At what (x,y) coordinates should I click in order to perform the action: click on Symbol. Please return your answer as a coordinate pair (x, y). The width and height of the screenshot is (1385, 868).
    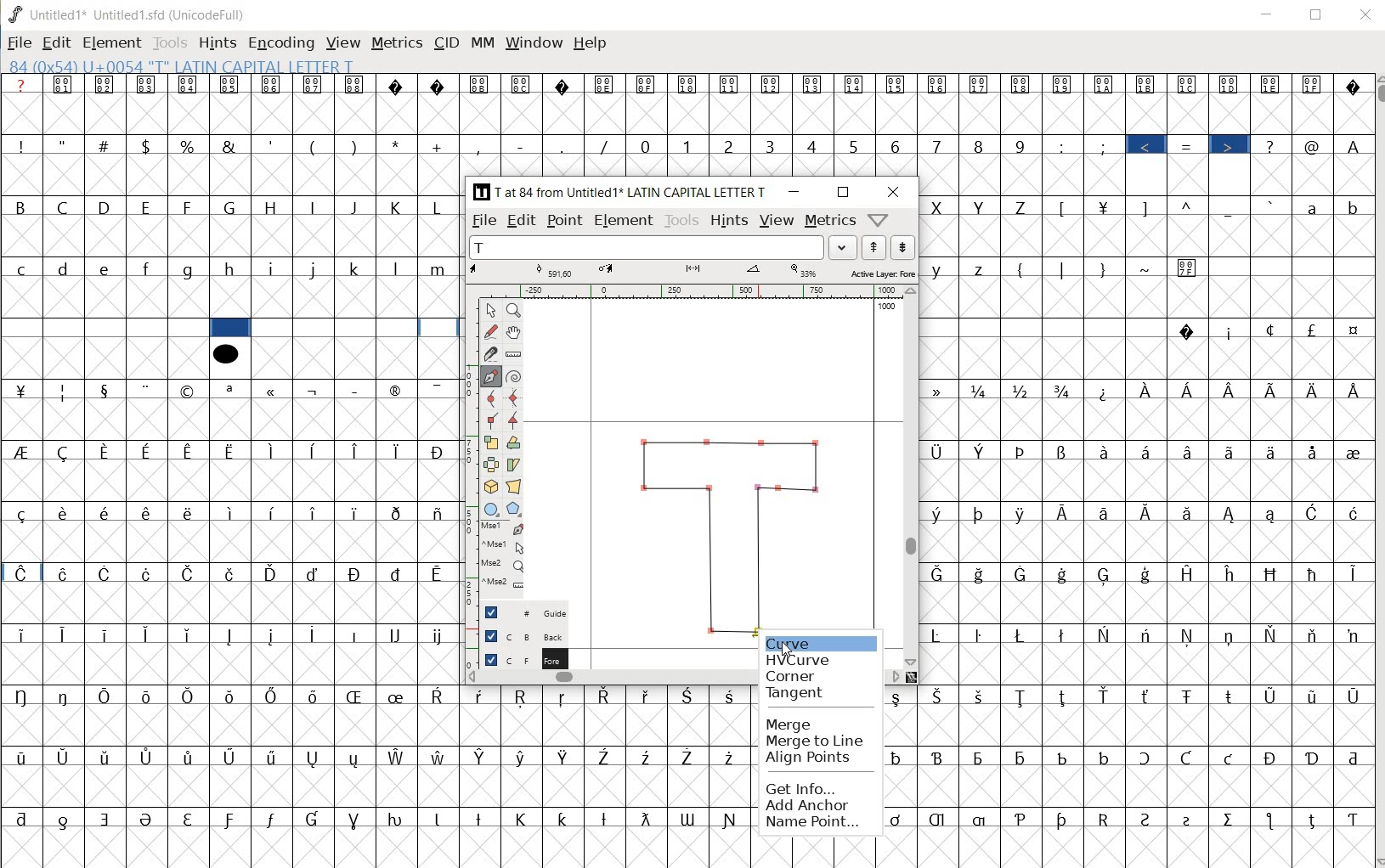
    Looking at the image, I should click on (688, 84).